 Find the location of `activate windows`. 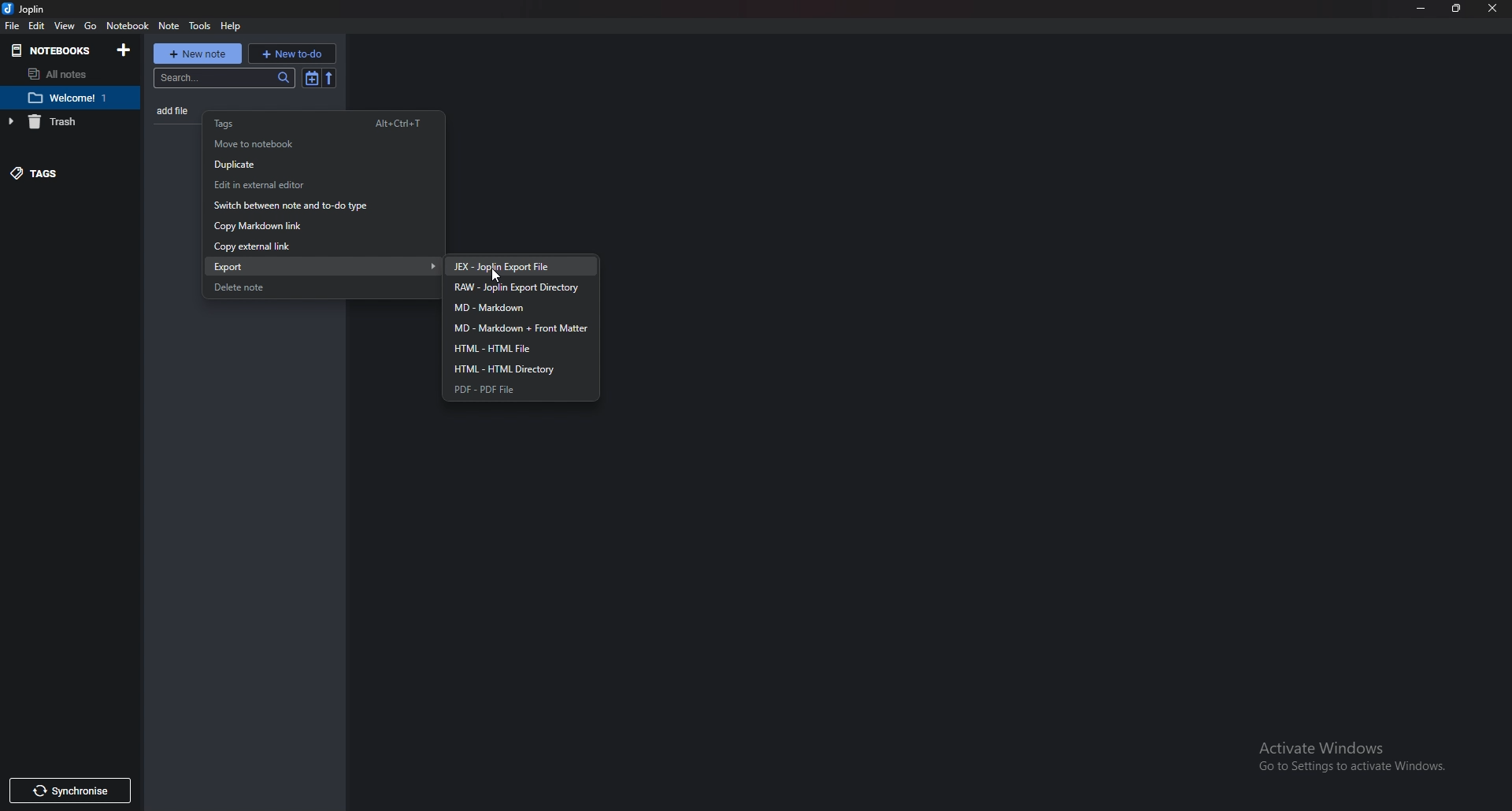

activate windows is located at coordinates (1350, 757).